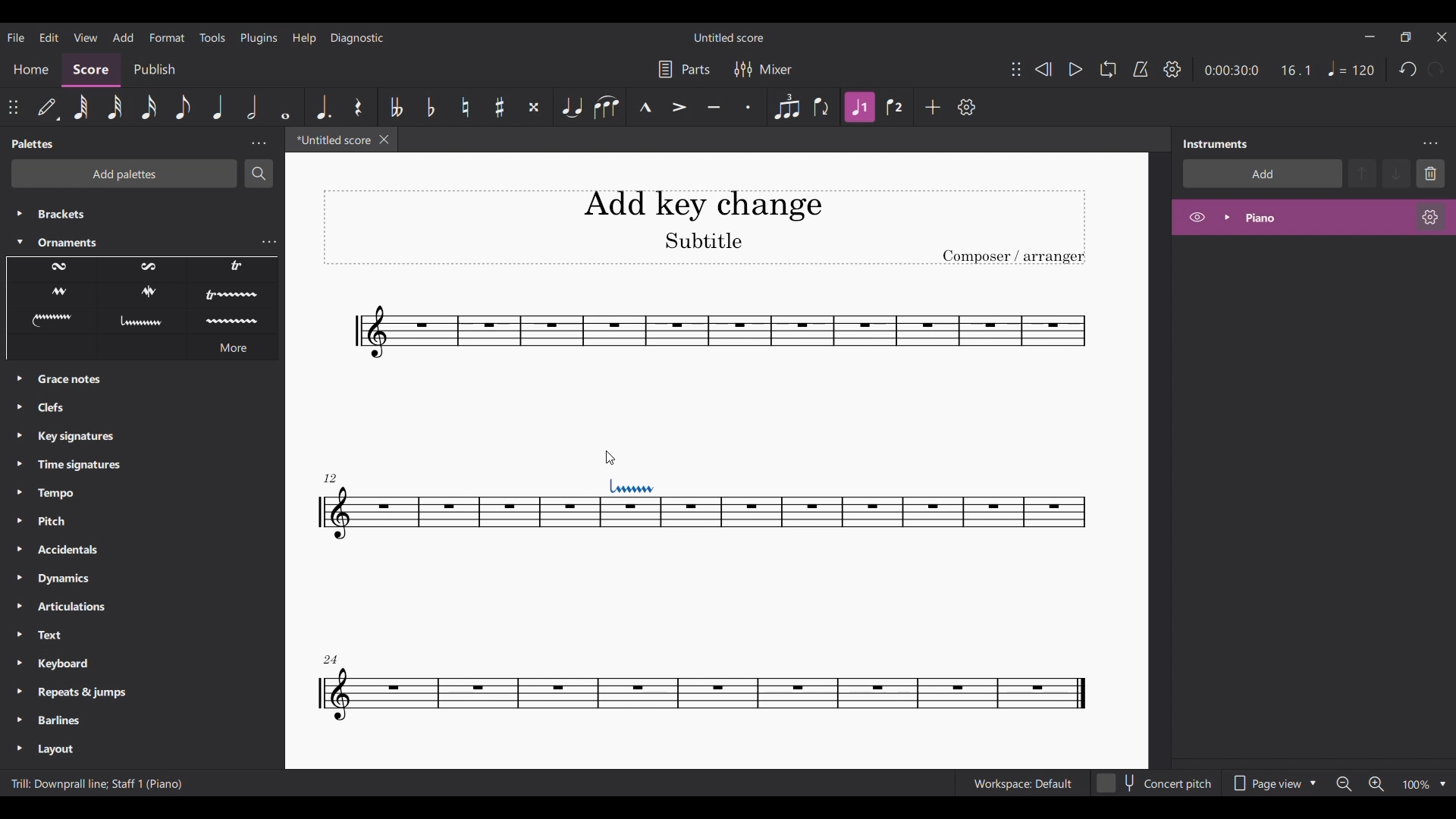 The height and width of the screenshot is (819, 1456). Describe the element at coordinates (933, 106) in the screenshot. I see `Add` at that location.